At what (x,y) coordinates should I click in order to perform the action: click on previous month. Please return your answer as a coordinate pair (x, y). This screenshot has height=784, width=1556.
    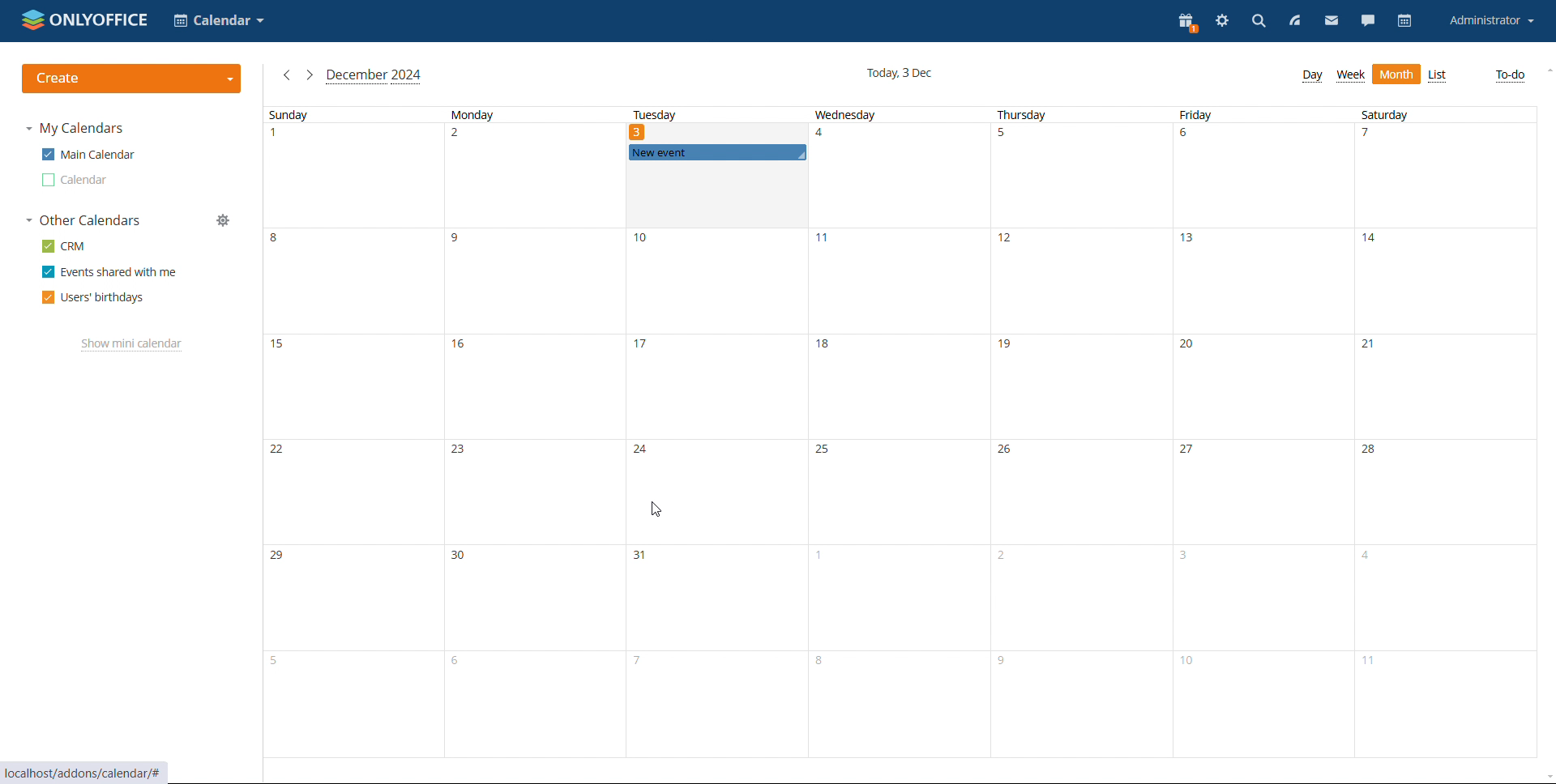
    Looking at the image, I should click on (284, 75).